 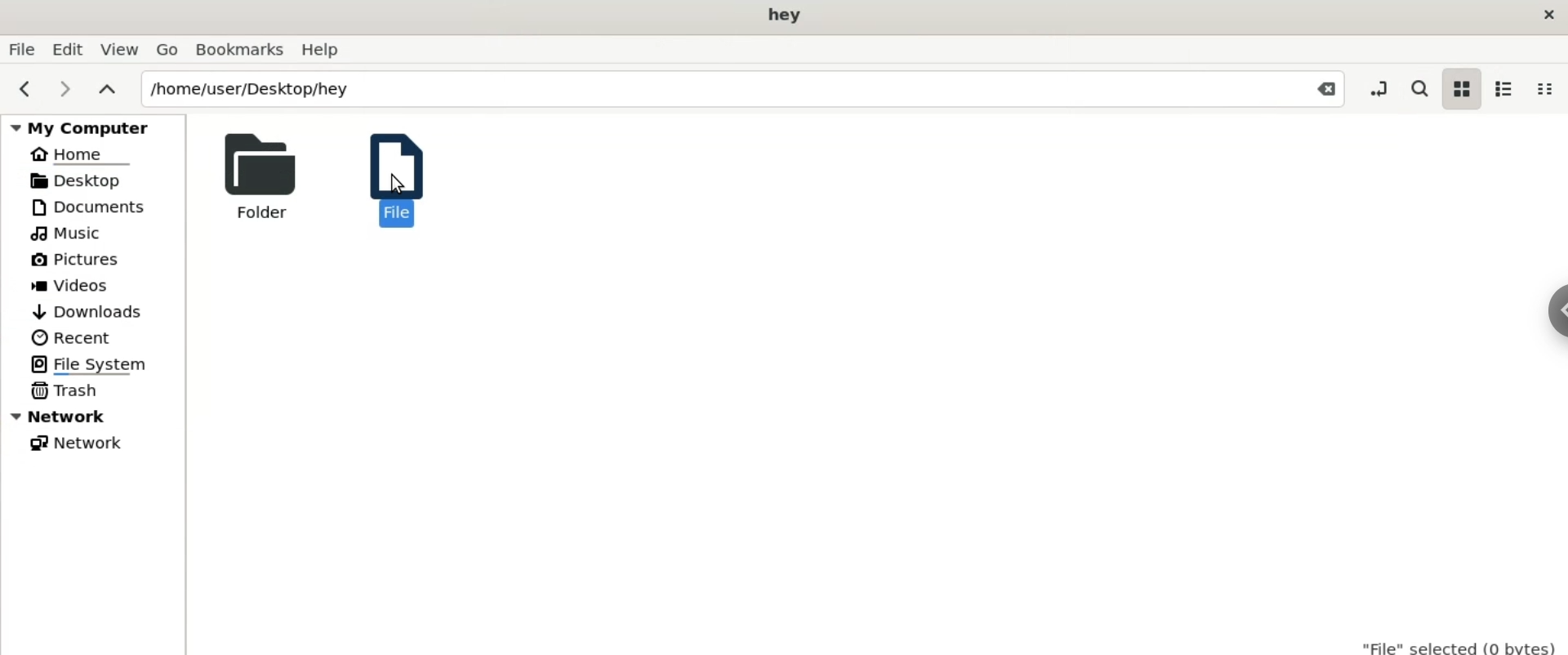 What do you see at coordinates (1501, 91) in the screenshot?
I see `list view` at bounding box center [1501, 91].